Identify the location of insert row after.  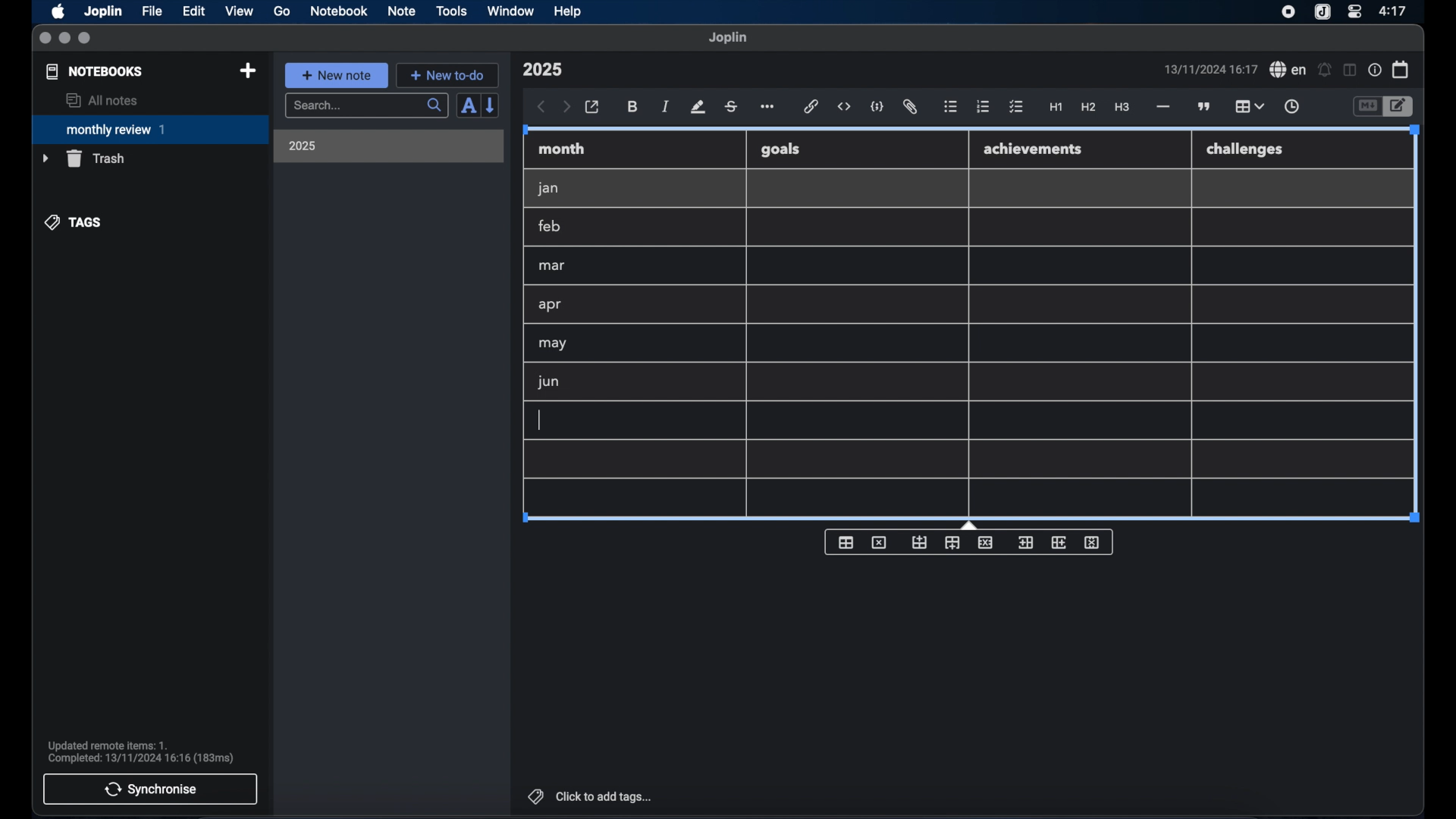
(952, 543).